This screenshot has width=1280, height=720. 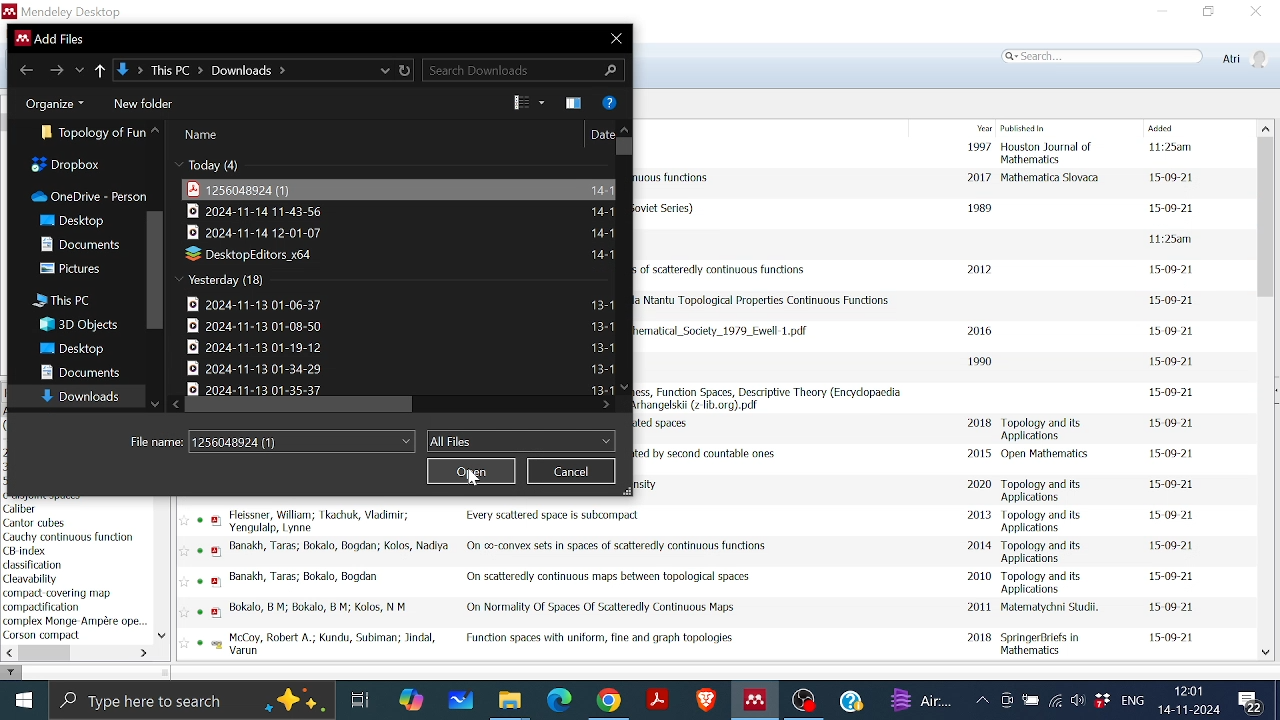 What do you see at coordinates (609, 577) in the screenshot?
I see `Title` at bounding box center [609, 577].